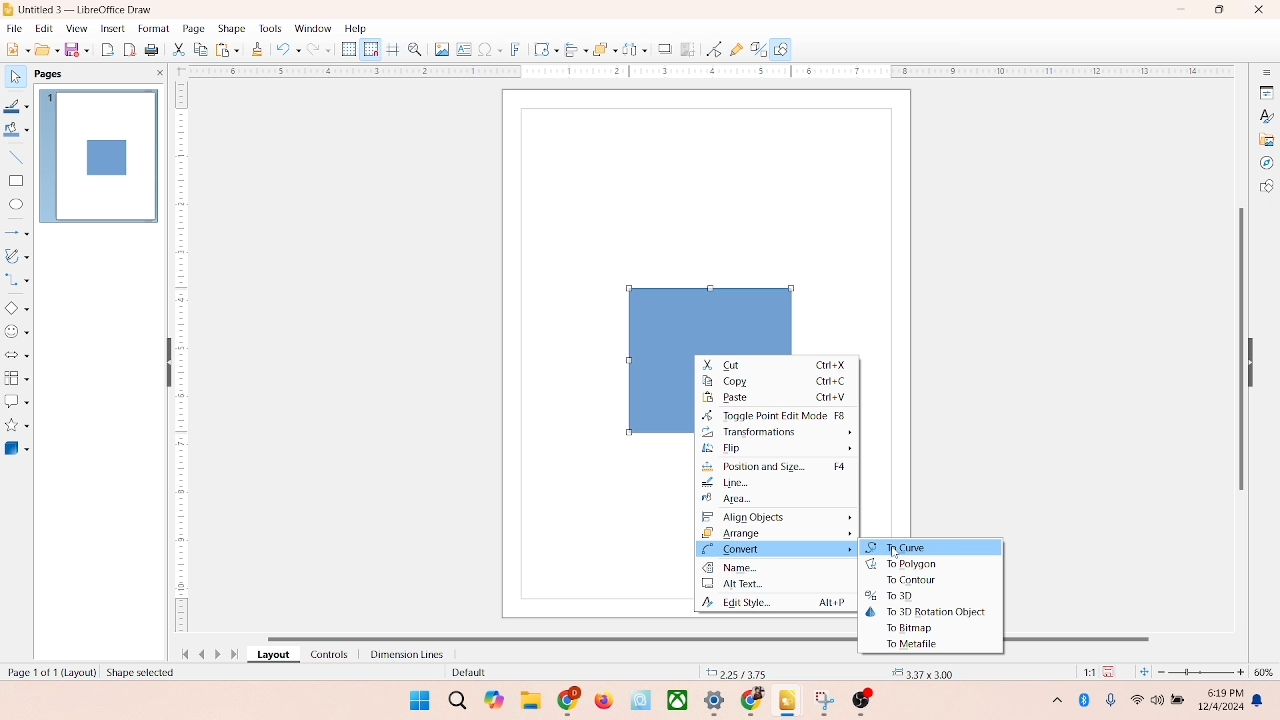 The image size is (1280, 720). I want to click on gluepoint function, so click(735, 50).